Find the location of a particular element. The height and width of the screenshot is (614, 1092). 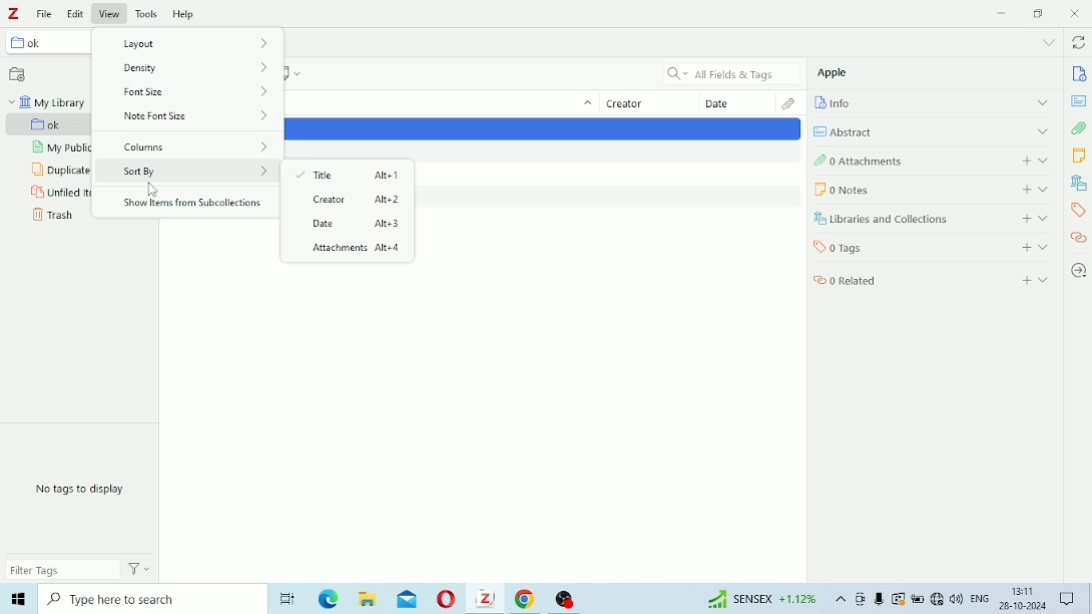

Opera browser is located at coordinates (444, 601).